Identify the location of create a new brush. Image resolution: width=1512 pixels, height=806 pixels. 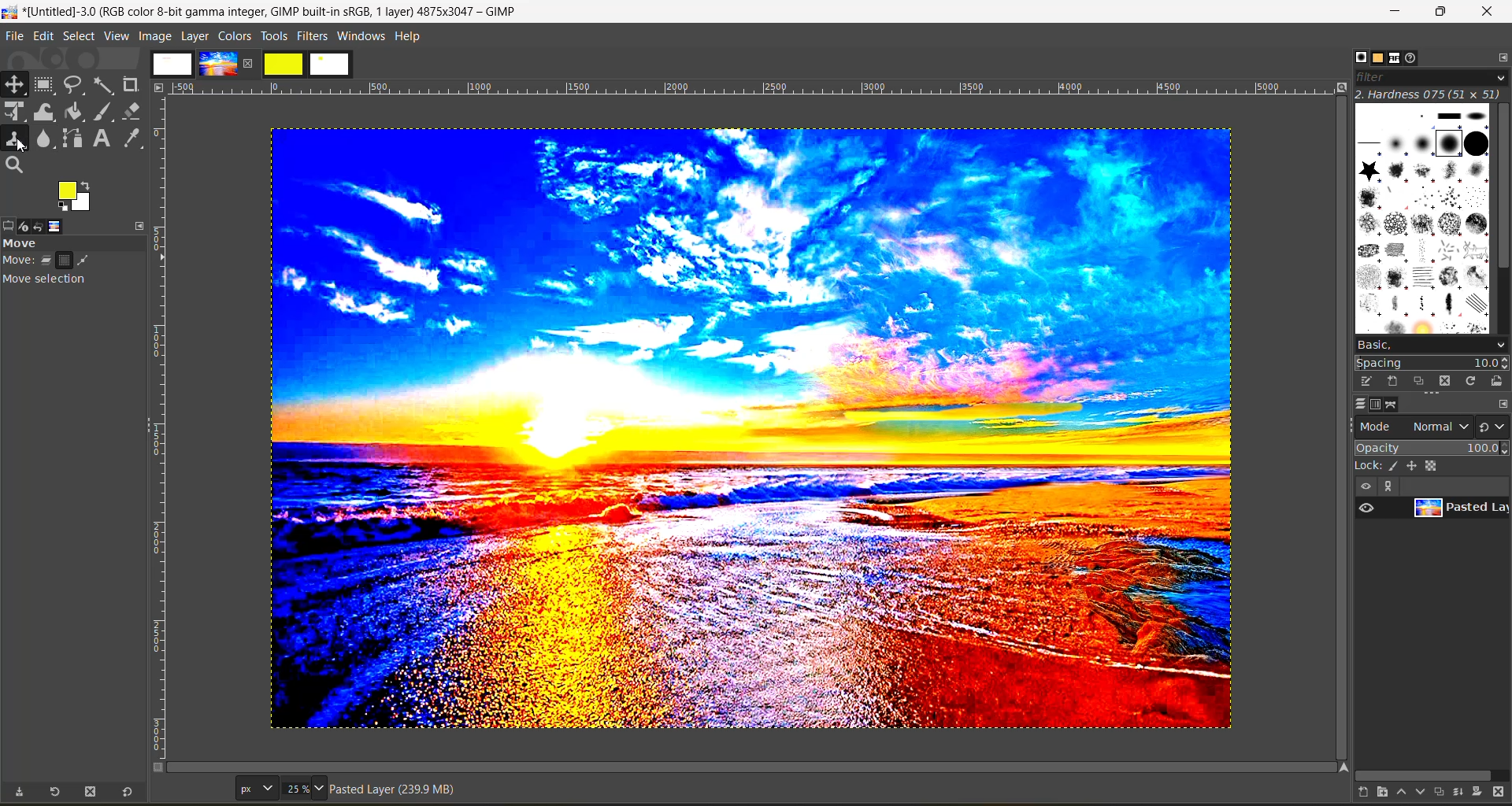
(1392, 382).